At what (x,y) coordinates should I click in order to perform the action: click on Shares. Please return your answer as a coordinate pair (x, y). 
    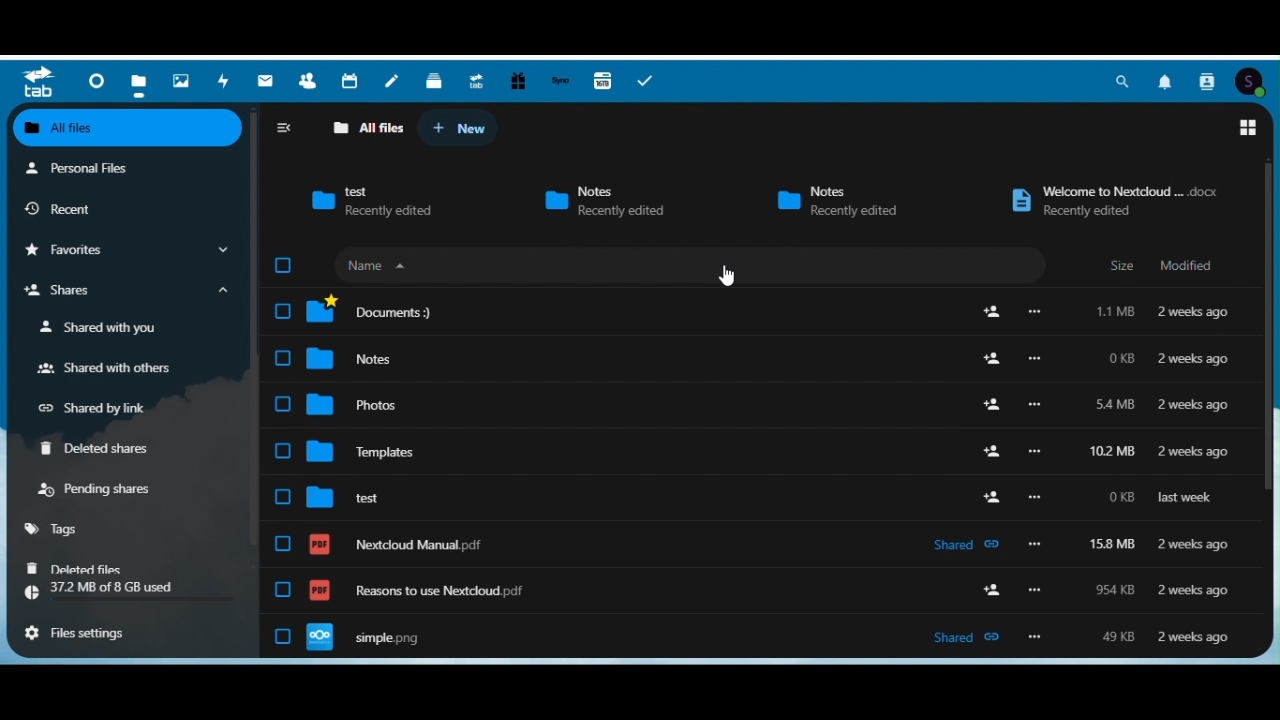
    Looking at the image, I should click on (127, 292).